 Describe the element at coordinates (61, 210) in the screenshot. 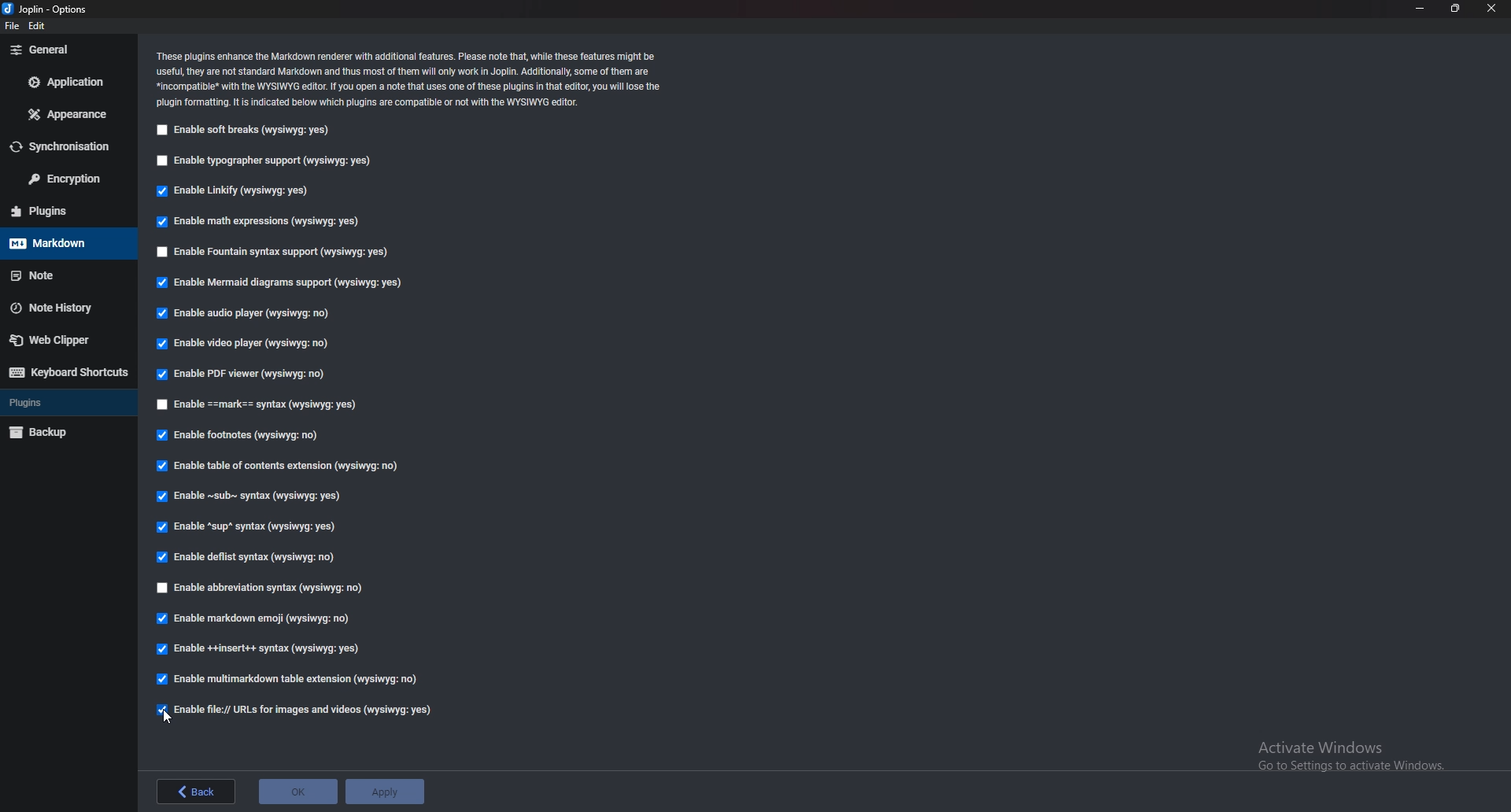

I see `plugins` at that location.